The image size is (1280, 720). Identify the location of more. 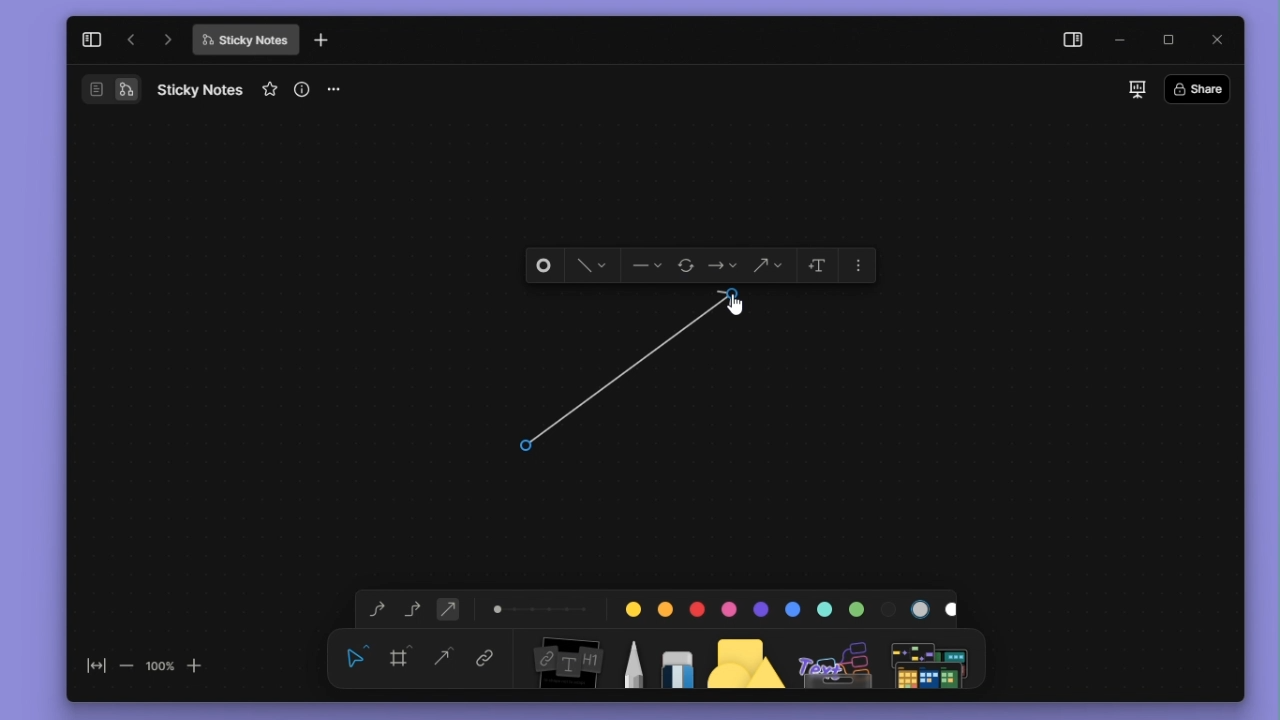
(860, 263).